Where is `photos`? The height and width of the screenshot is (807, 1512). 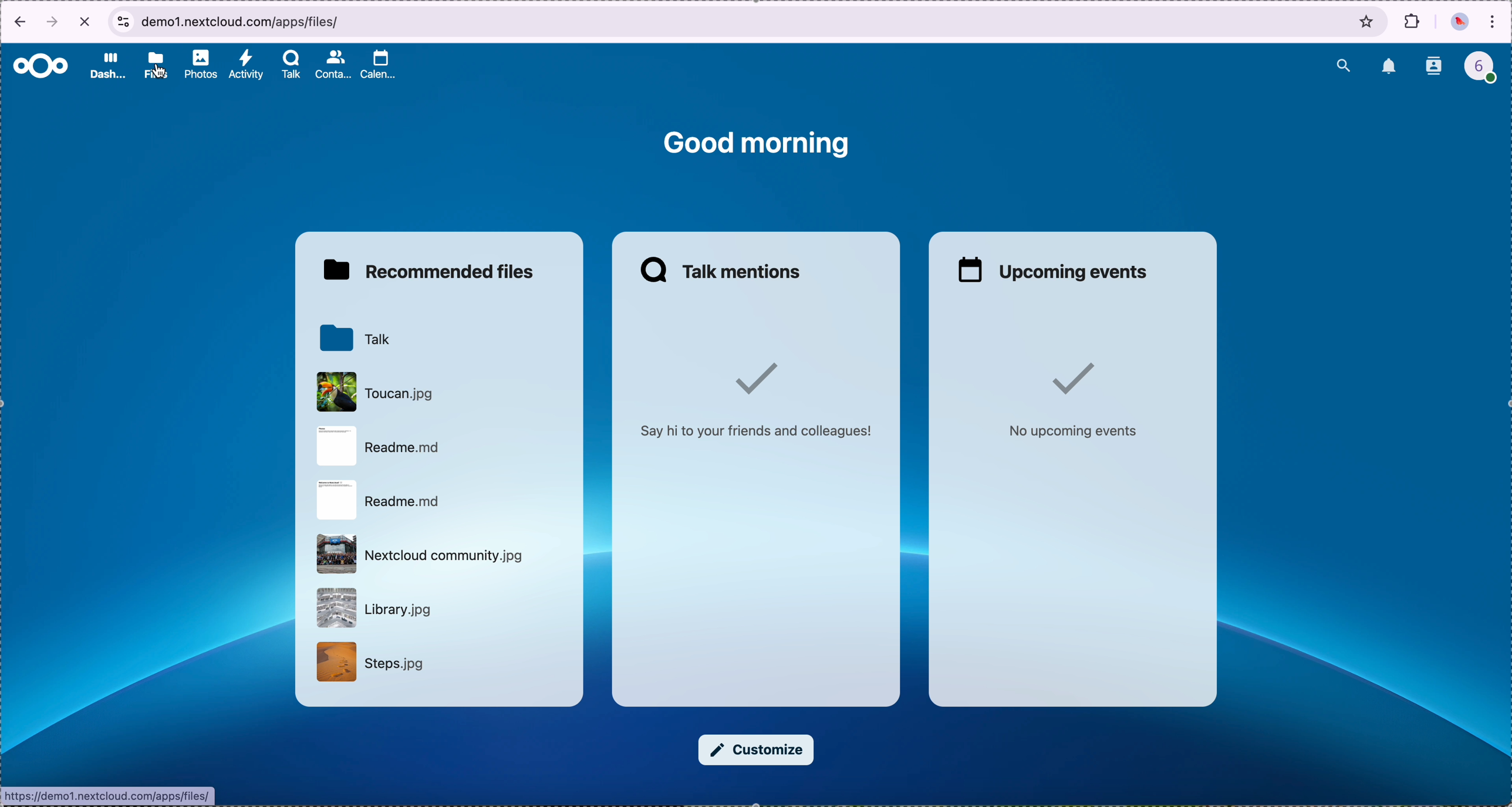 photos is located at coordinates (201, 66).